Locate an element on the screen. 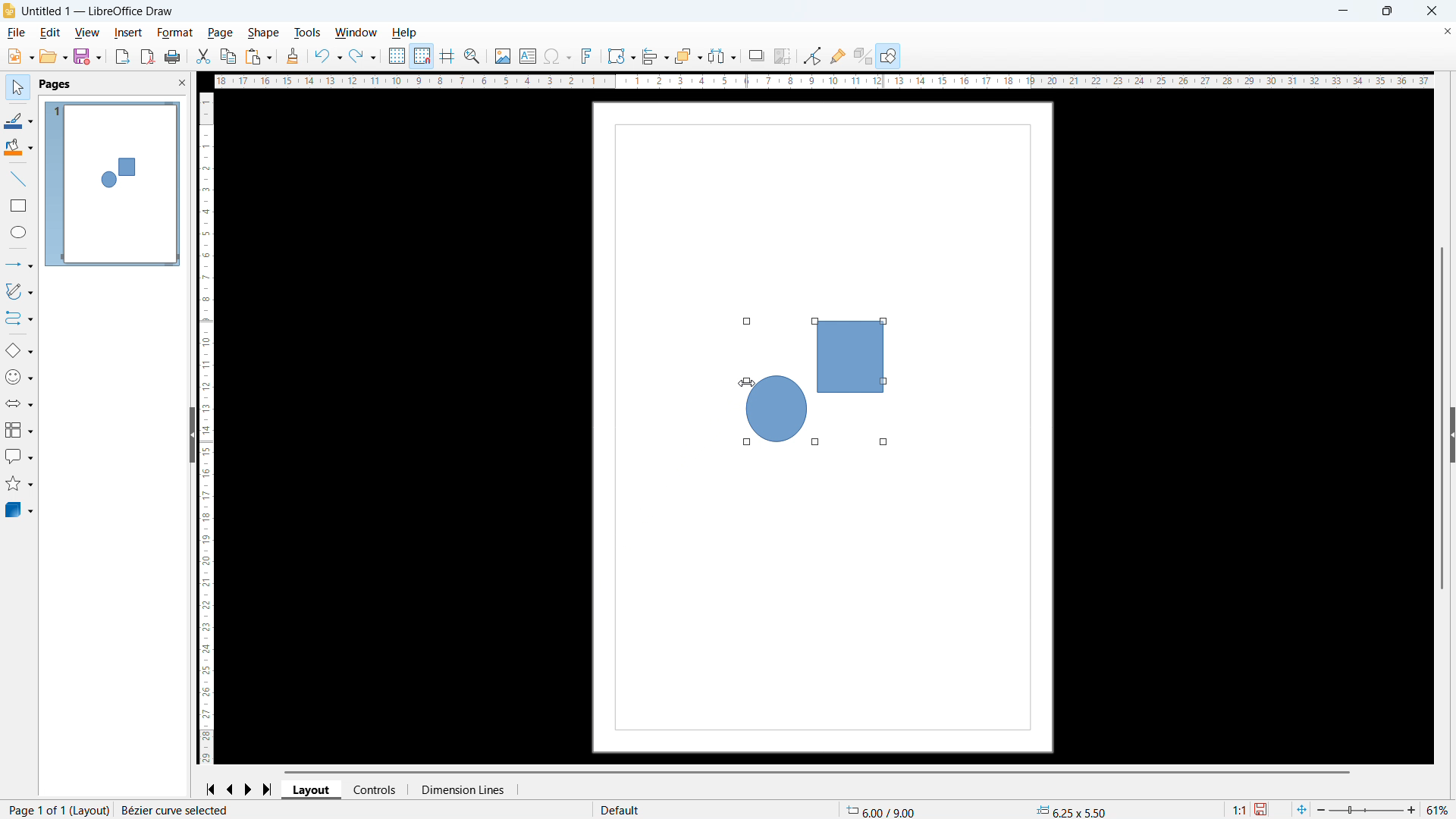 The width and height of the screenshot is (1456, 819). Hide pane  is located at coordinates (194, 435).